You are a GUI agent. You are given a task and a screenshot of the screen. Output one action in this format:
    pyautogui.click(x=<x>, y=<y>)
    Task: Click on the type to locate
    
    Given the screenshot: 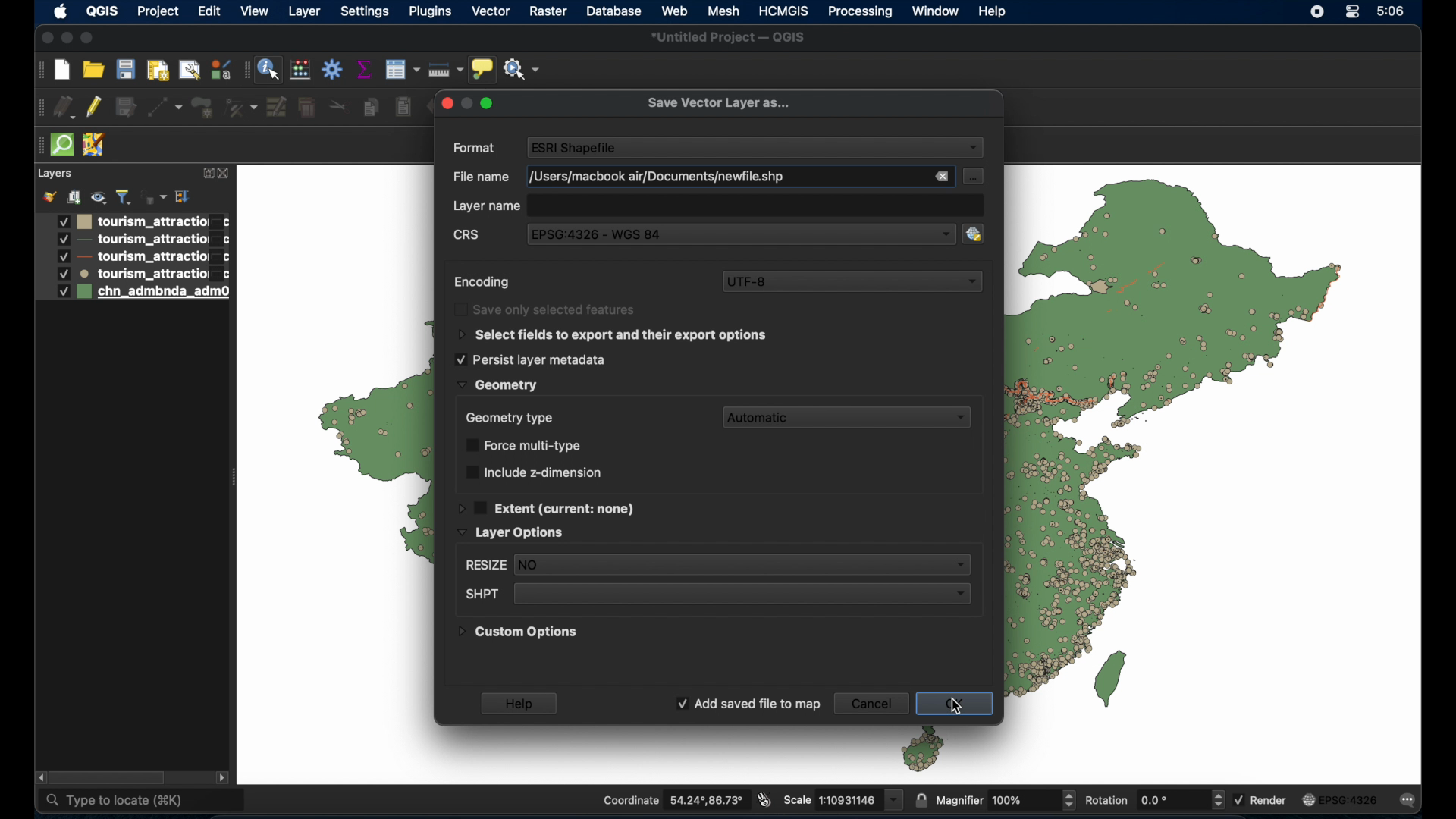 What is the action you would take?
    pyautogui.click(x=143, y=800)
    